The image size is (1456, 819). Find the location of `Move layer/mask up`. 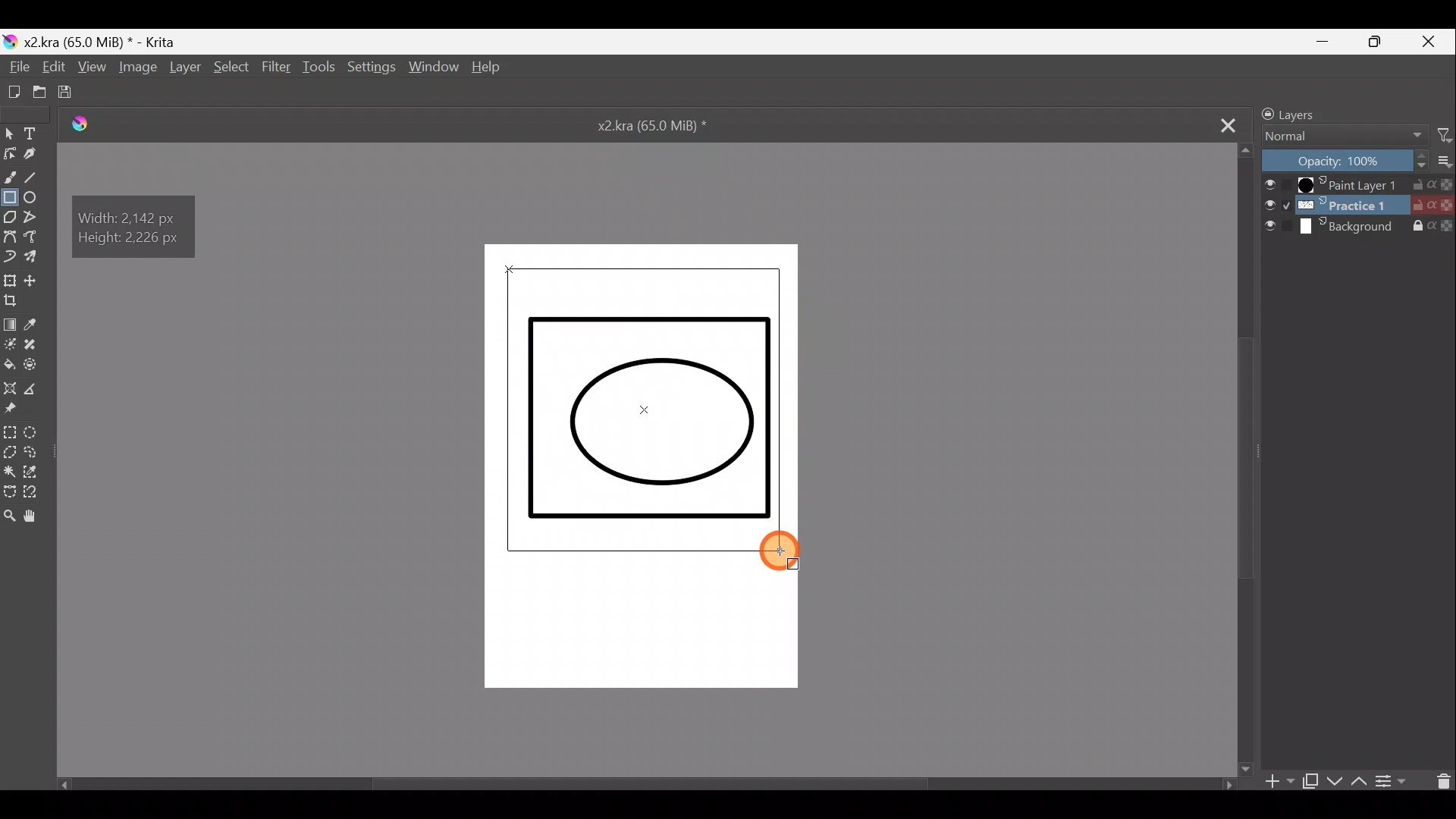

Move layer/mask up is located at coordinates (1359, 780).